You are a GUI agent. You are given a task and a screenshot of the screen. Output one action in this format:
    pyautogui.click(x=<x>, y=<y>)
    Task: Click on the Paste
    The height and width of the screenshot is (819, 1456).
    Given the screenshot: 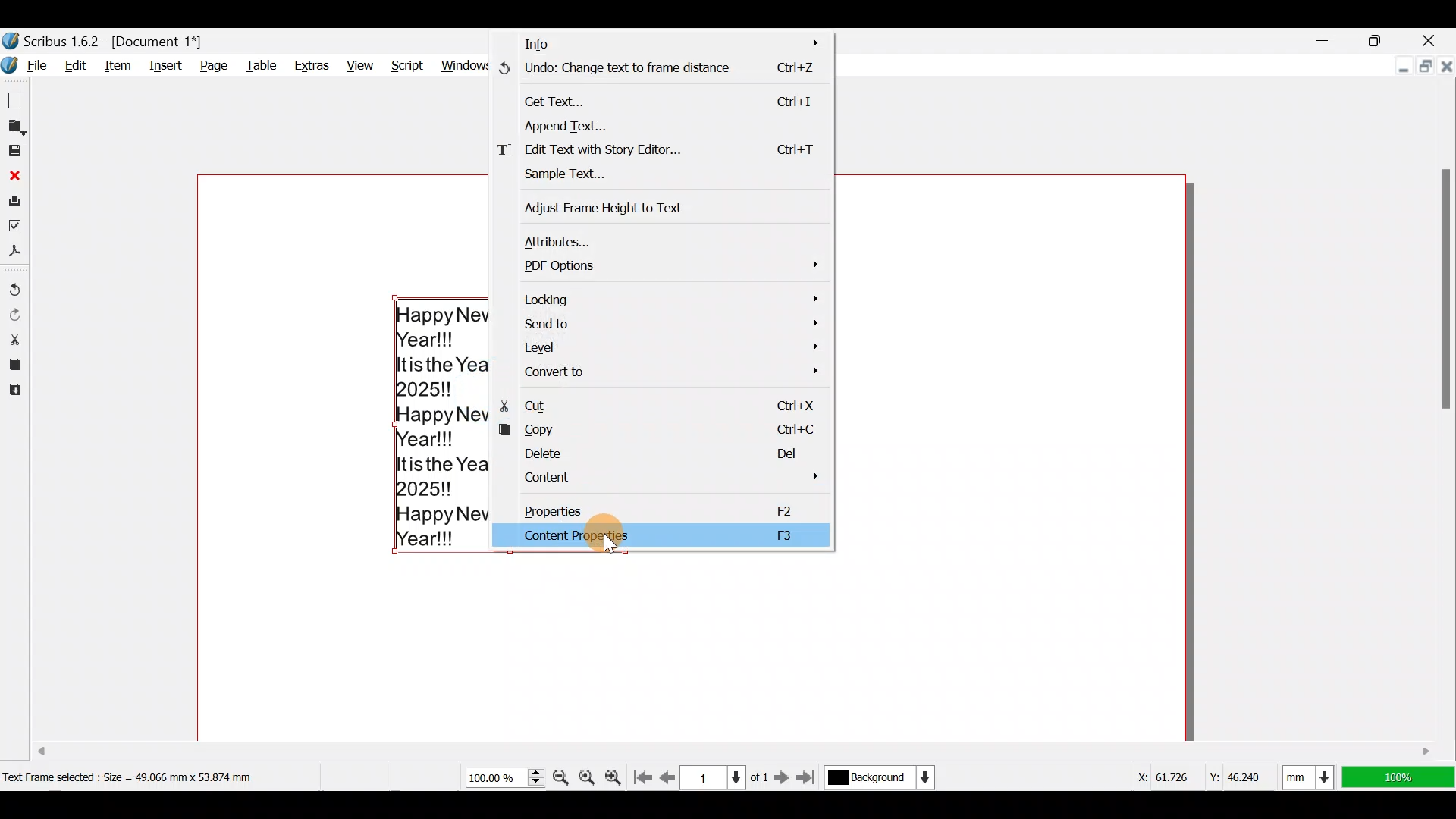 What is the action you would take?
    pyautogui.click(x=14, y=392)
    